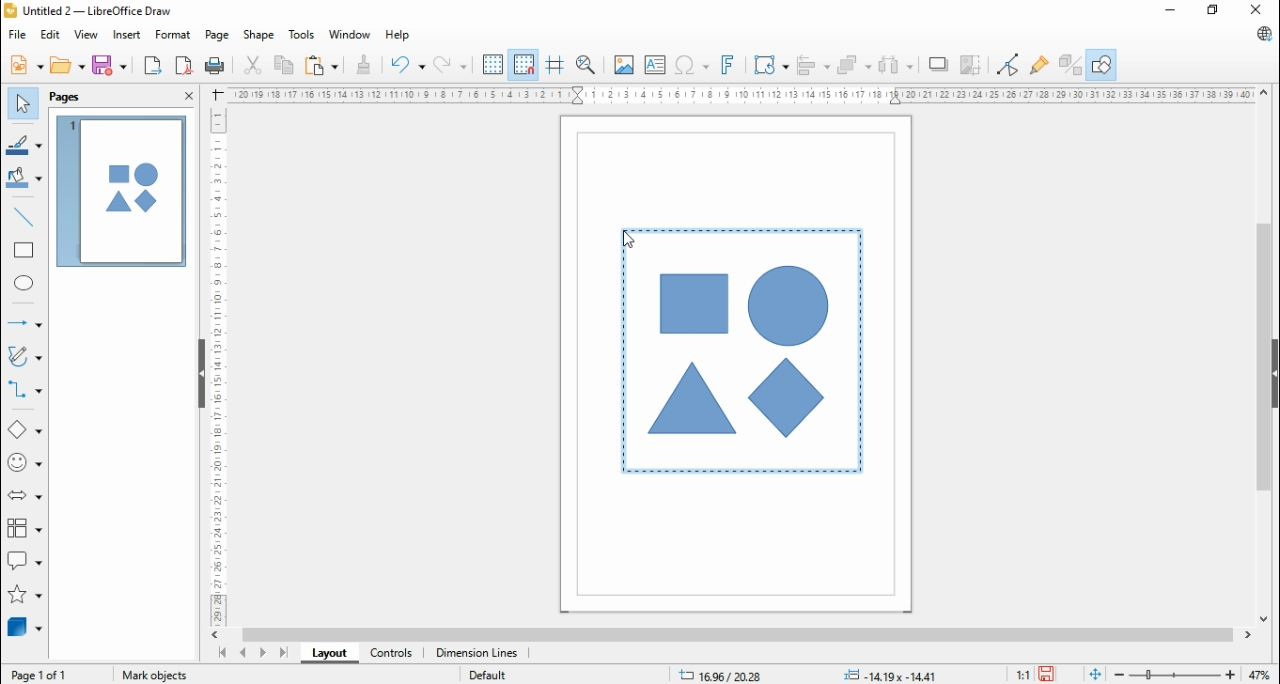  What do you see at coordinates (27, 65) in the screenshot?
I see `new` at bounding box center [27, 65].